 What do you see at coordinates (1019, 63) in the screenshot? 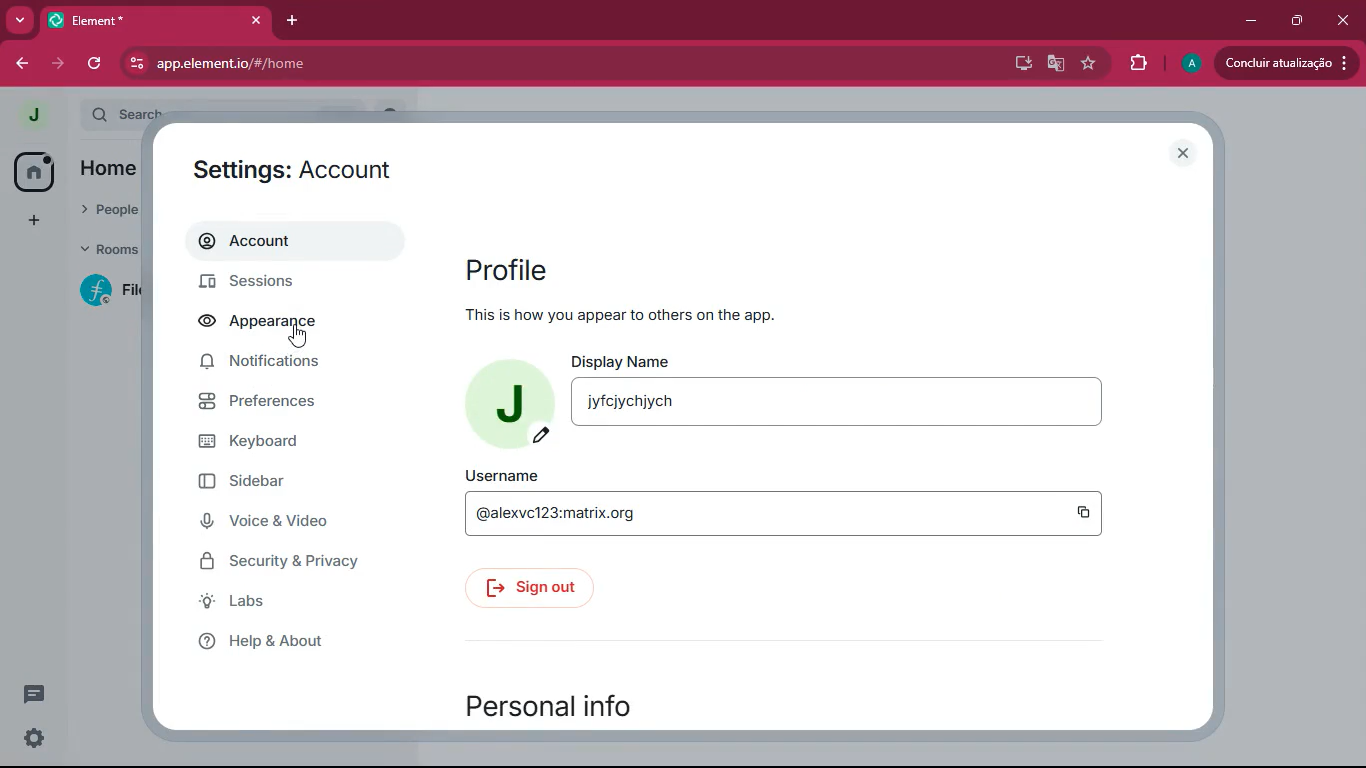
I see `desktop` at bounding box center [1019, 63].